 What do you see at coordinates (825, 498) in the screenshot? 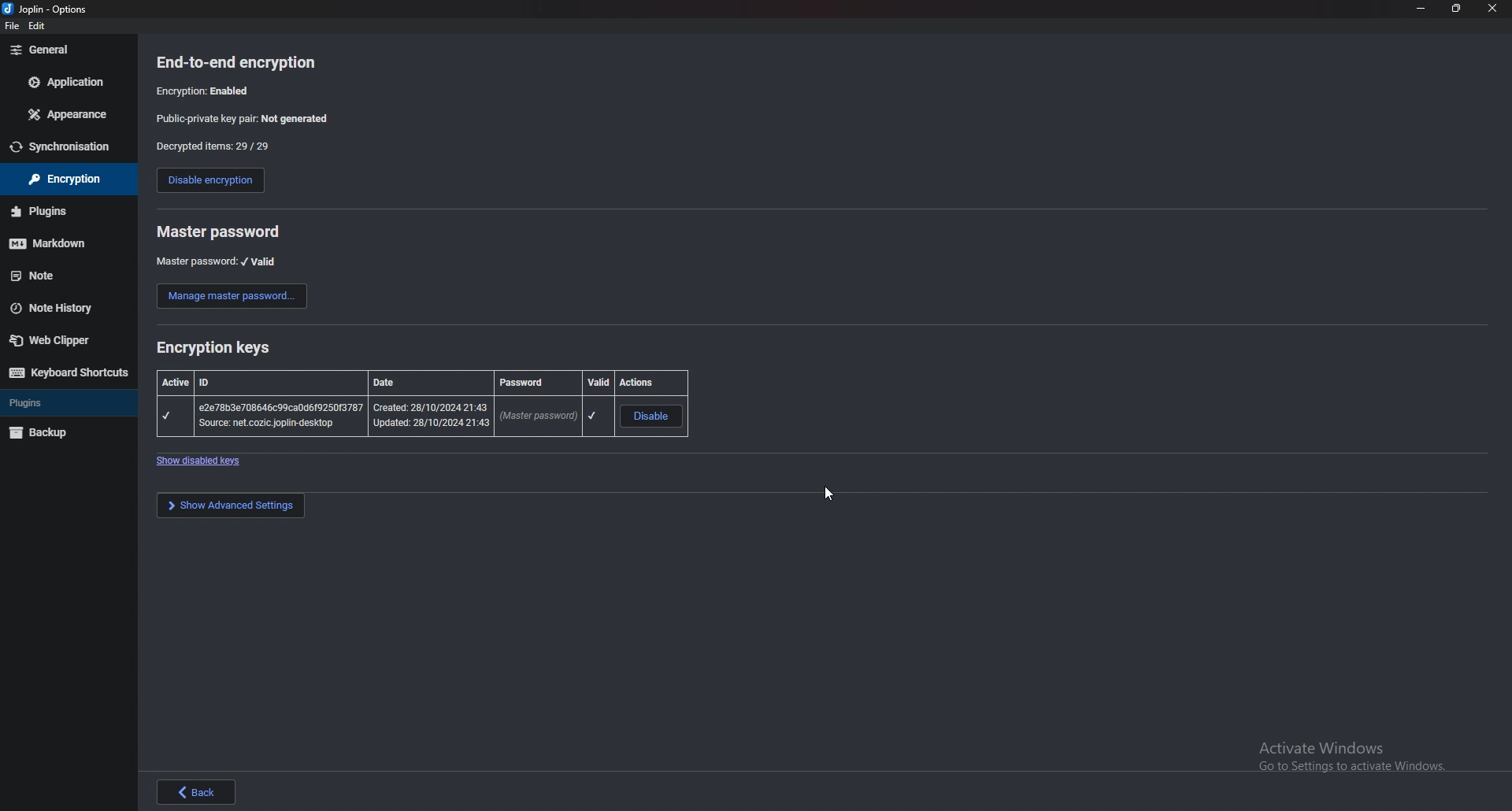
I see `cursor` at bounding box center [825, 498].